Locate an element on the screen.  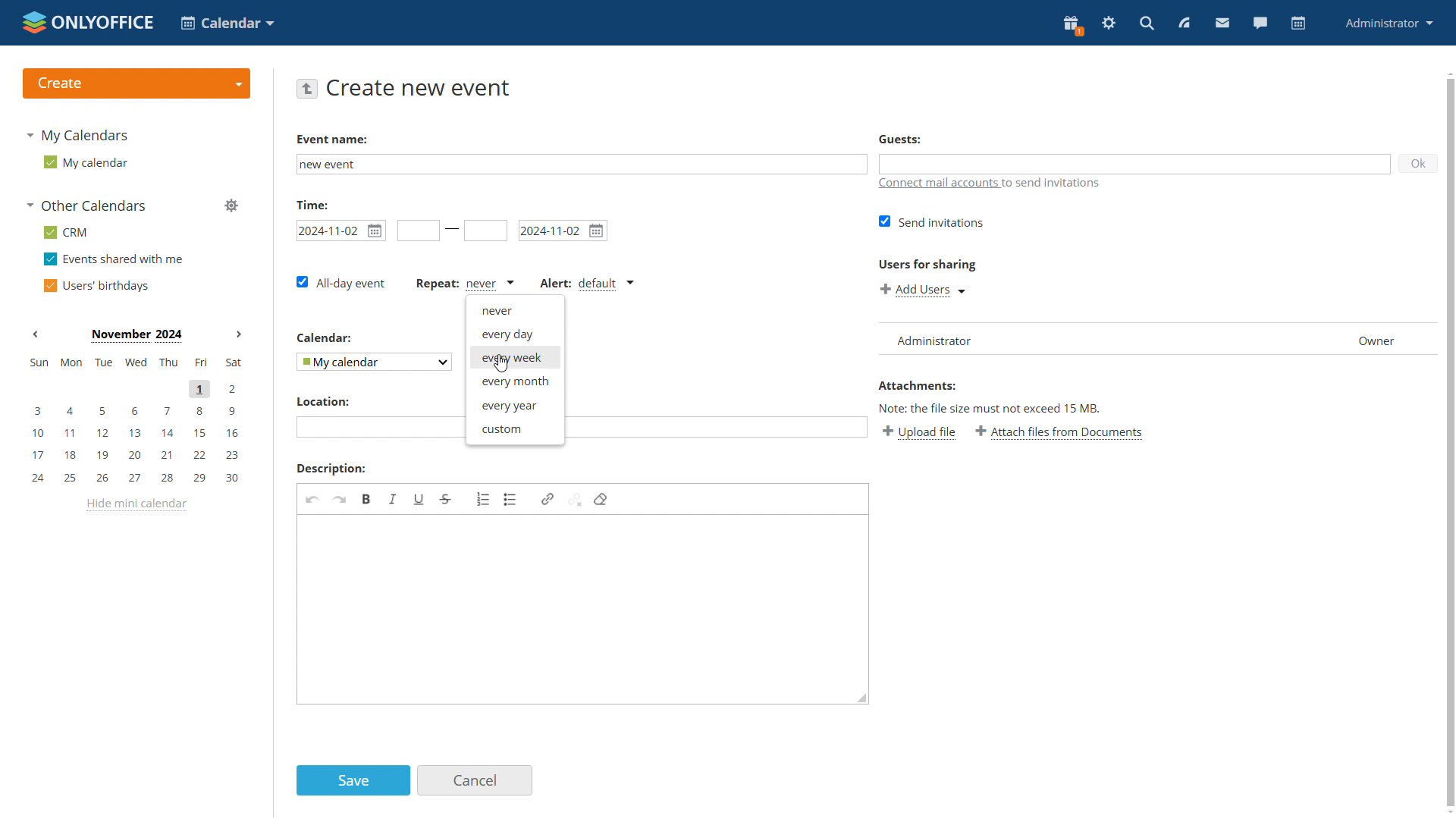
Next month is located at coordinates (238, 334).